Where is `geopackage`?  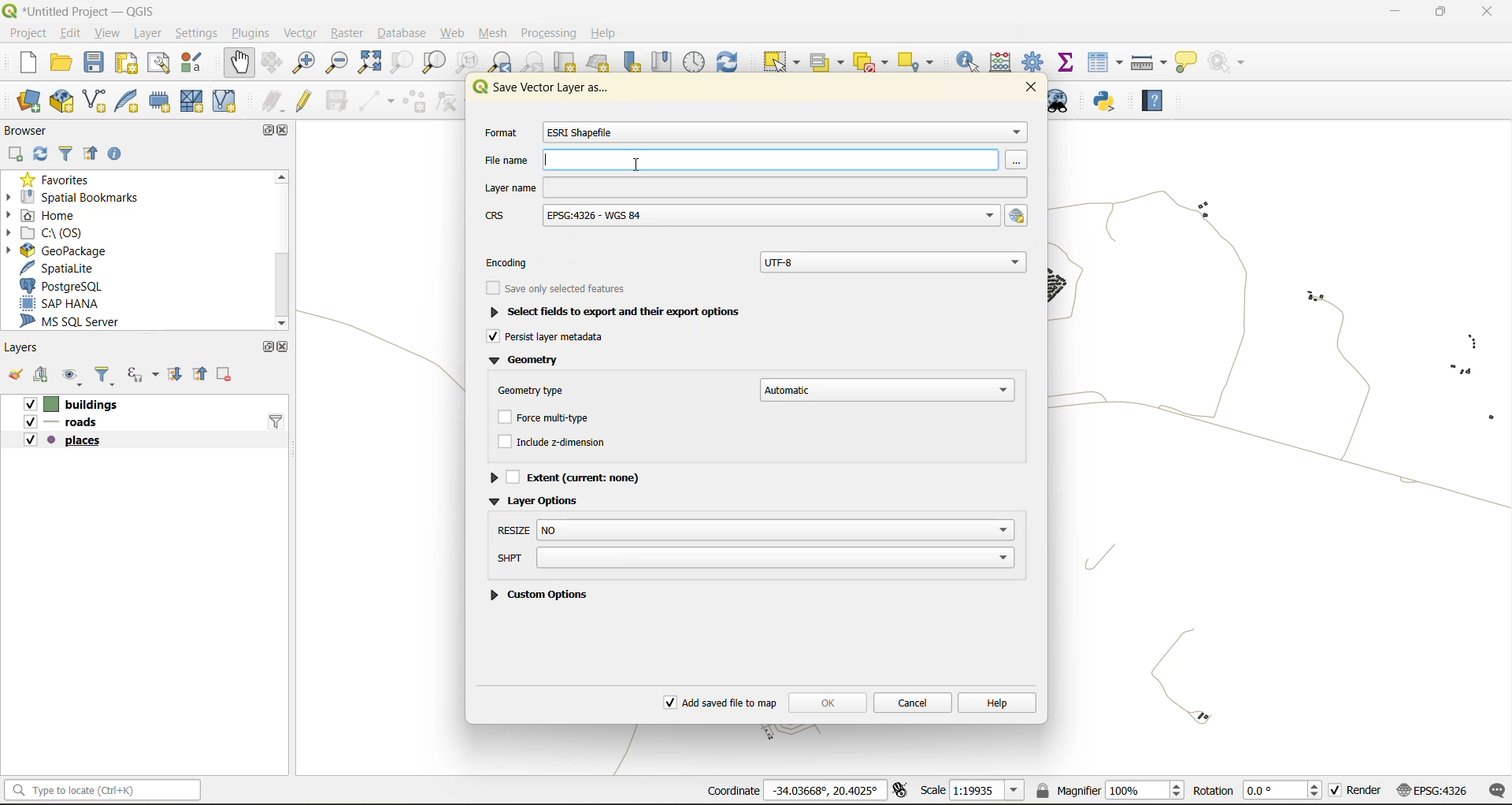
geopackage is located at coordinates (67, 252).